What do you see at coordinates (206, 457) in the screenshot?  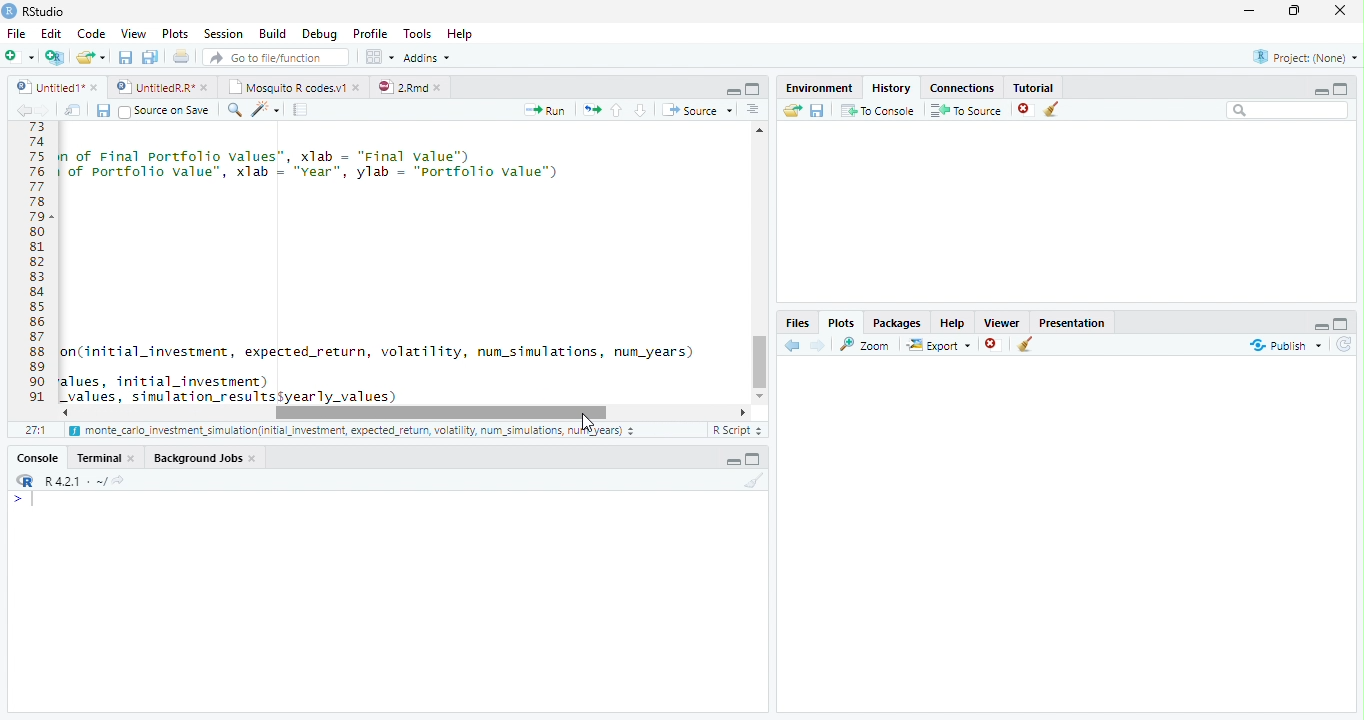 I see `Background Jobs.` at bounding box center [206, 457].